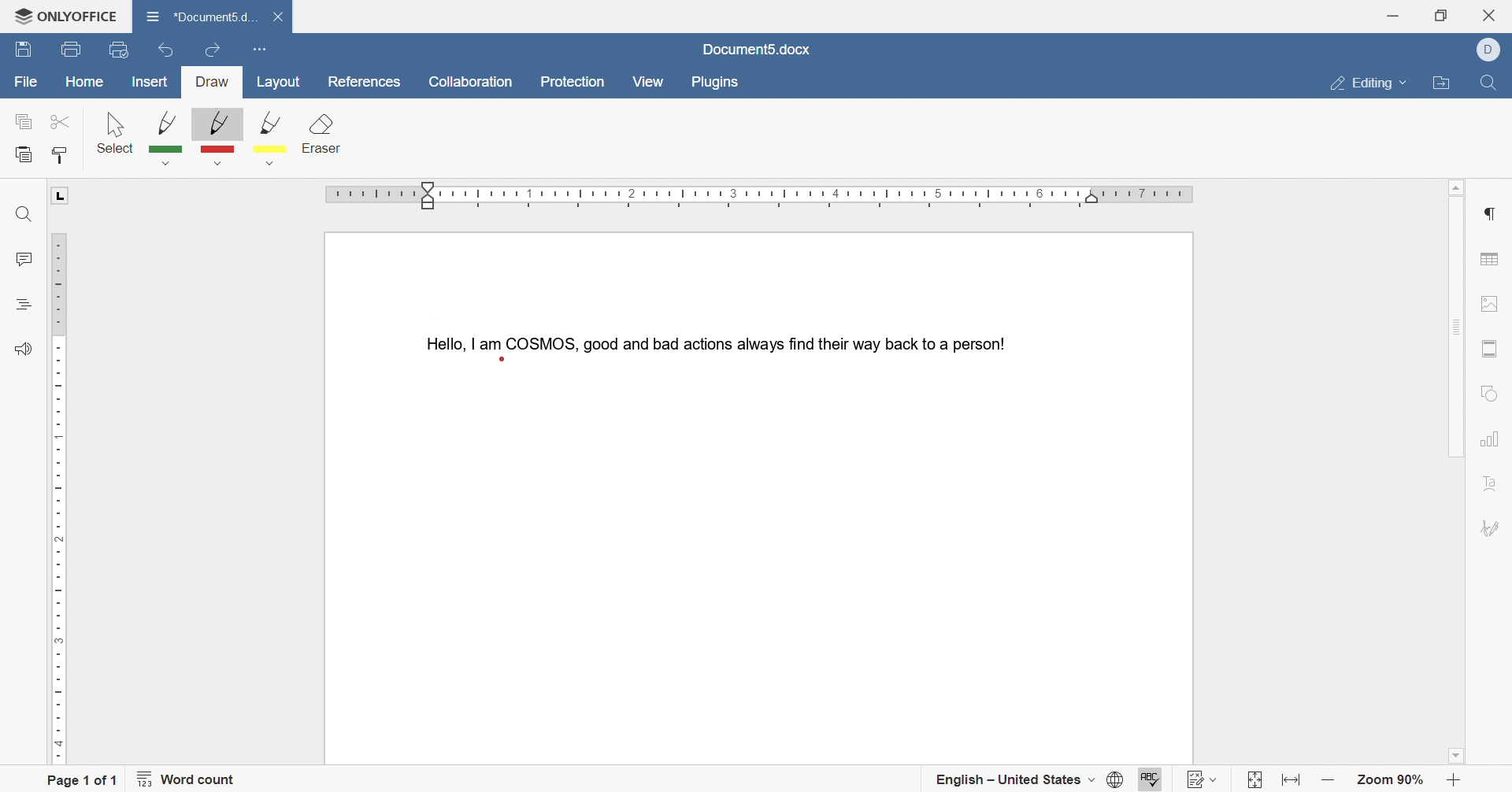 The image size is (1512, 792). What do you see at coordinates (472, 83) in the screenshot?
I see `collaboration` at bounding box center [472, 83].